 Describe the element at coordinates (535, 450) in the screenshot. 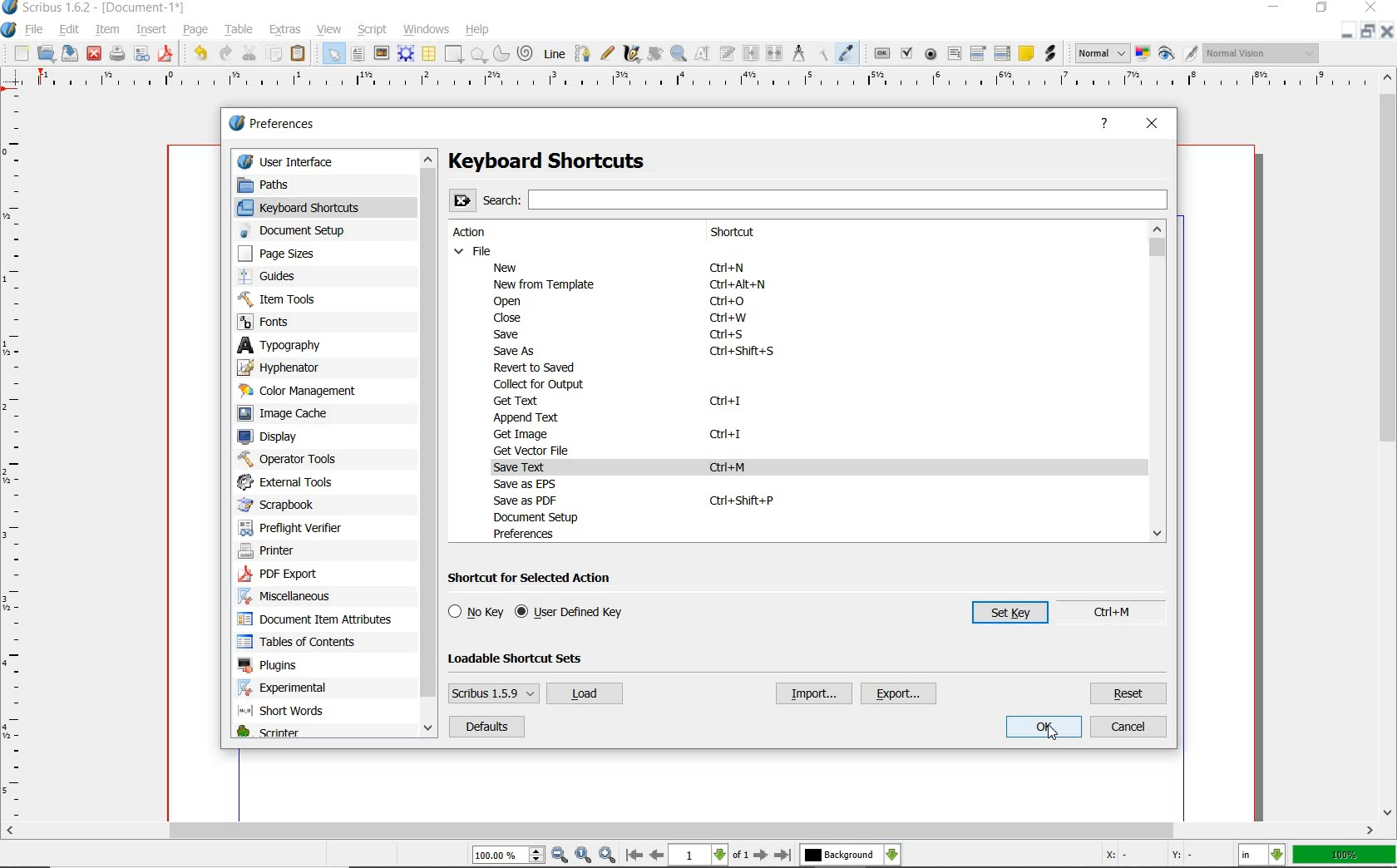

I see `GET VECTOR FILE` at that location.